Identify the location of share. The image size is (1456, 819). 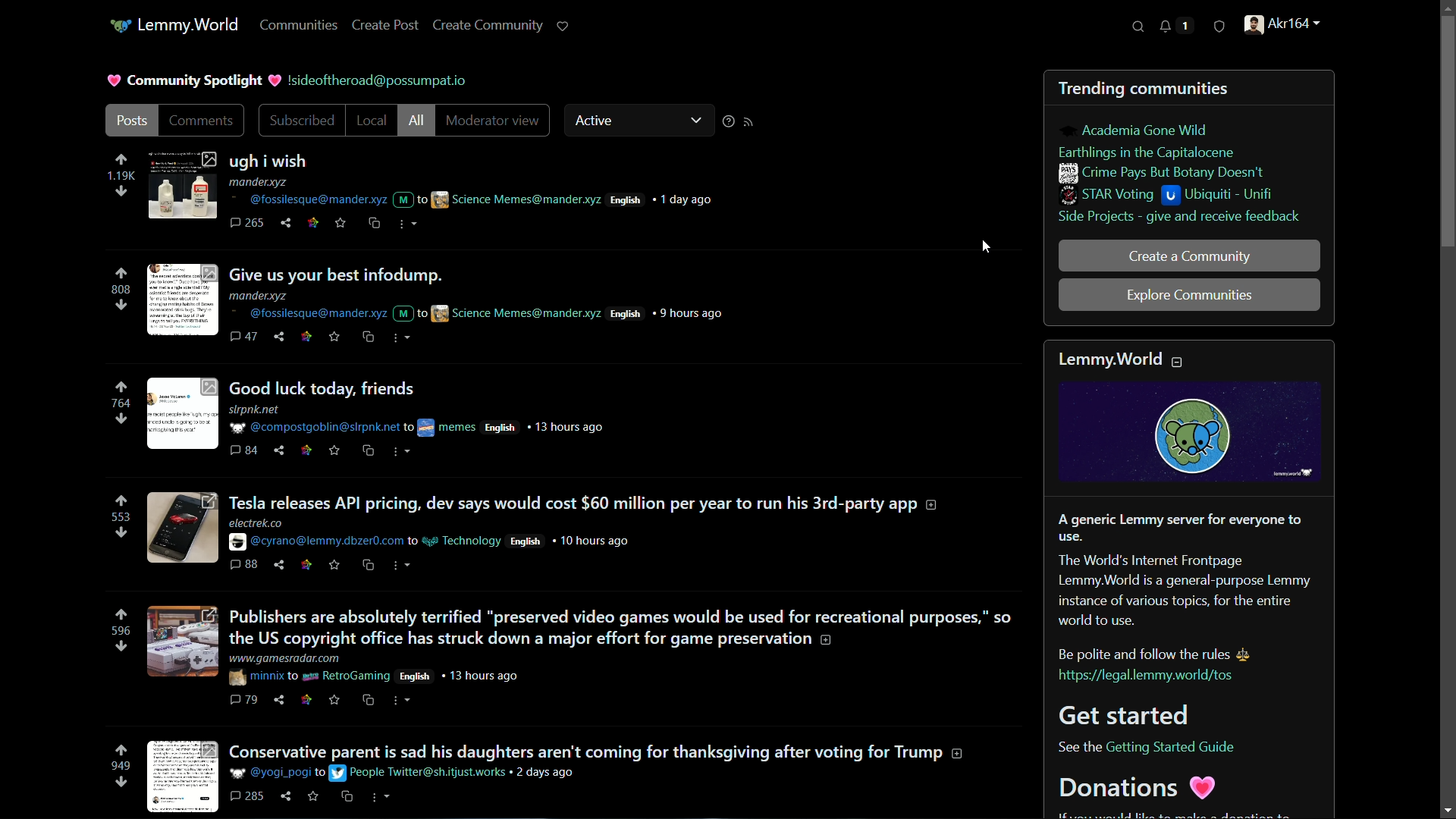
(277, 450).